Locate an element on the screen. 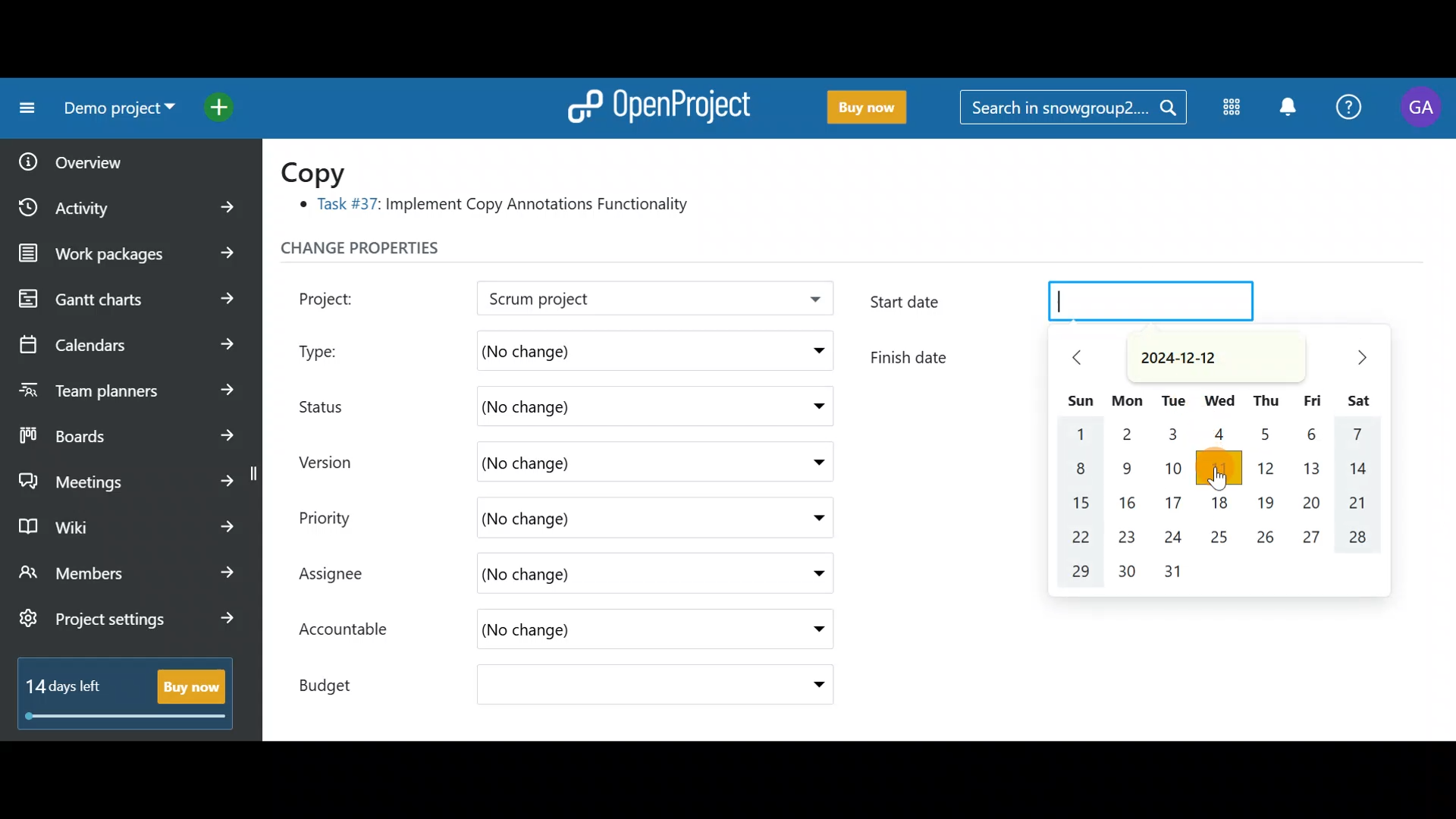  Type is located at coordinates (335, 347).